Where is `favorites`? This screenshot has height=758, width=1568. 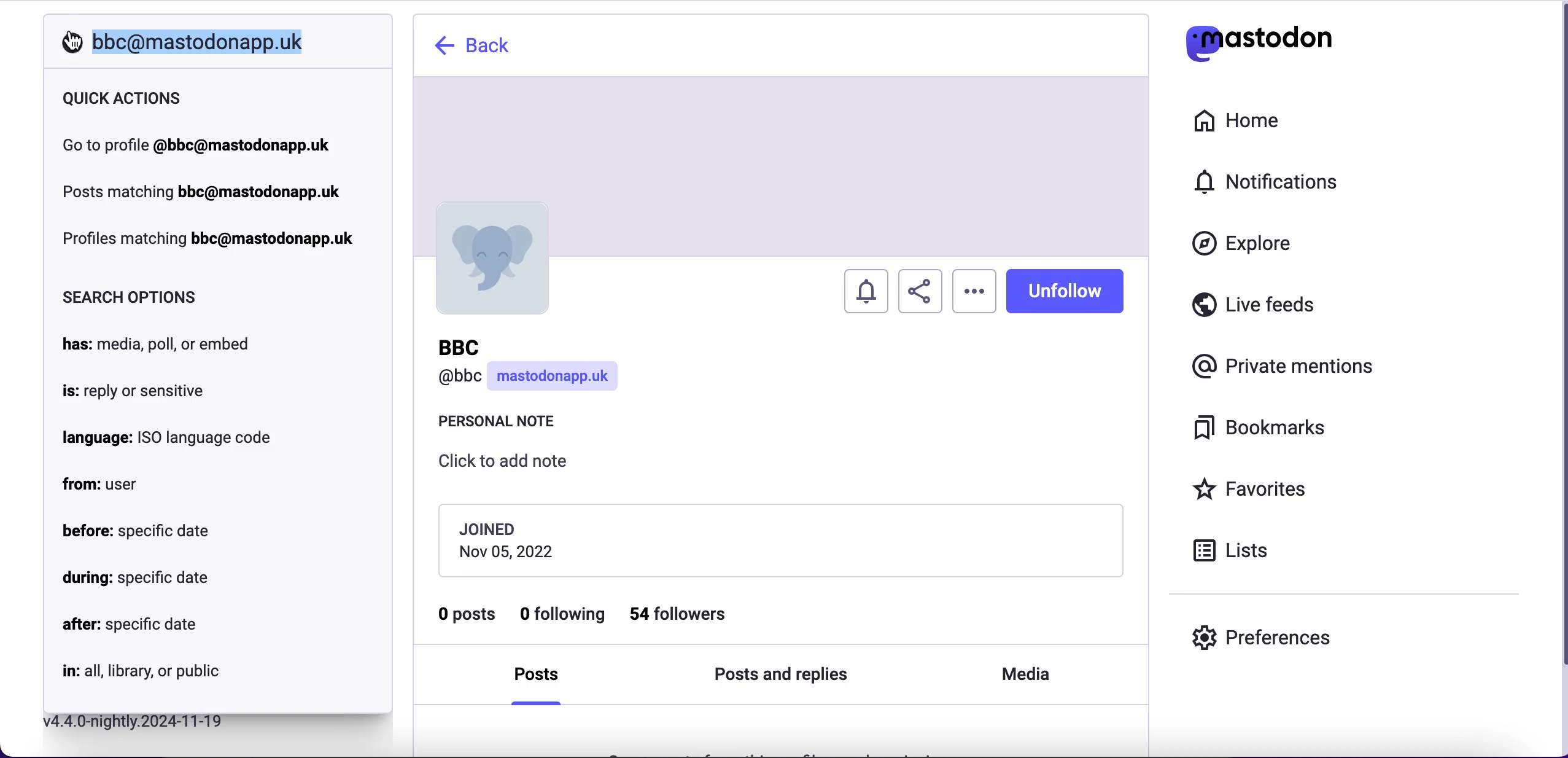
favorites is located at coordinates (1254, 491).